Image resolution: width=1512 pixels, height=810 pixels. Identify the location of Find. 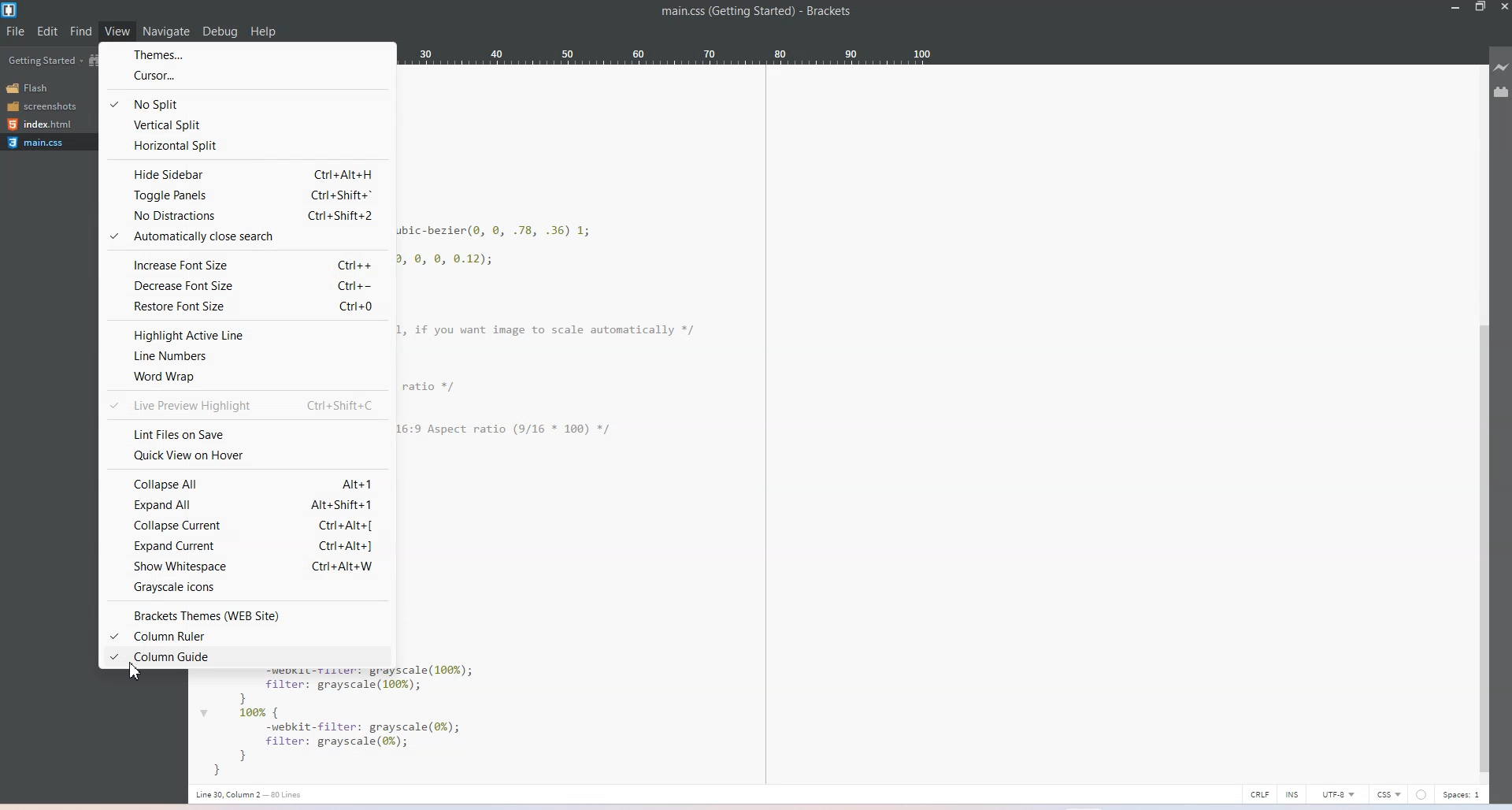
(80, 31).